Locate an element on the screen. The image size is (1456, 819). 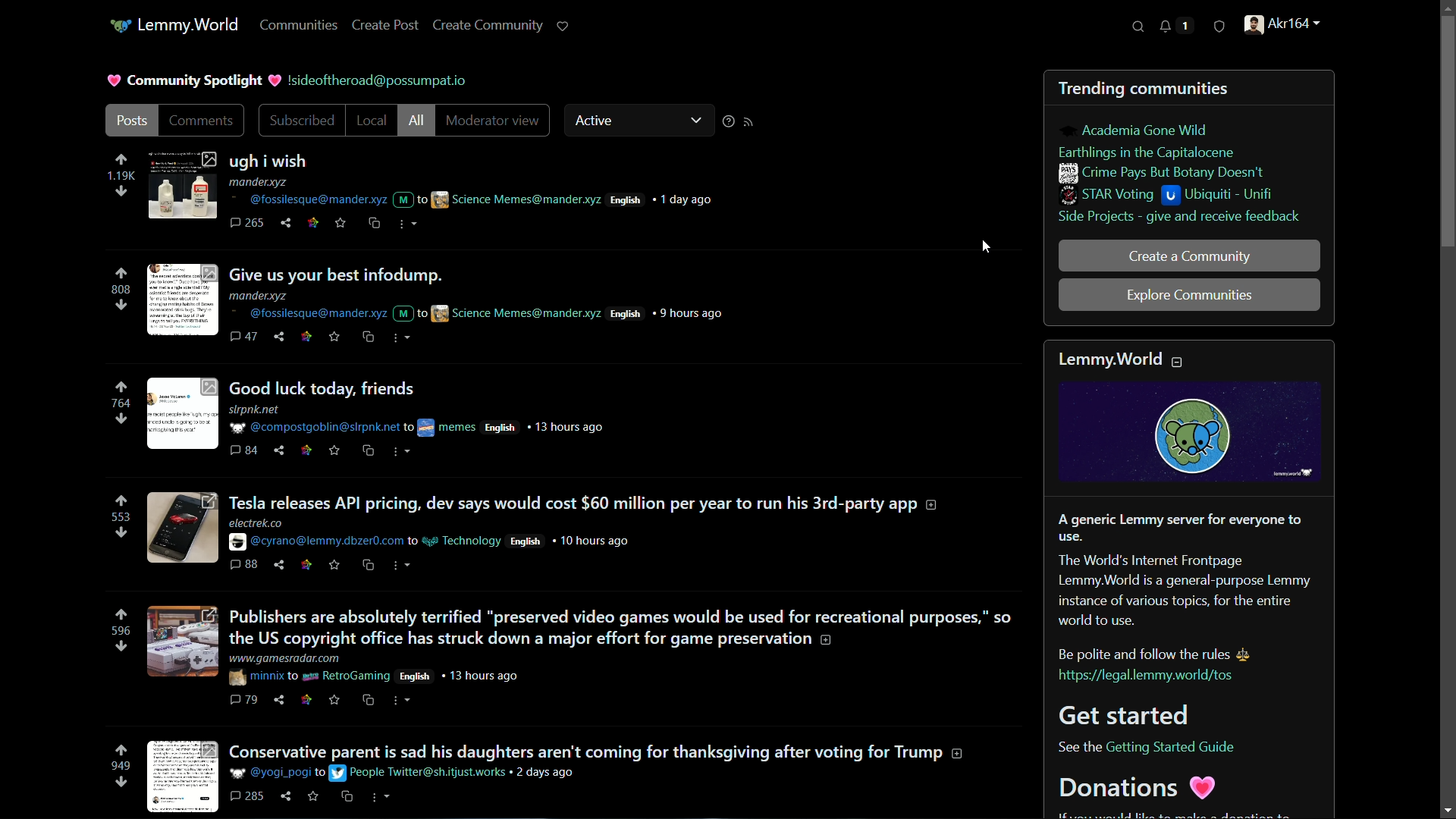
808 is located at coordinates (121, 290).